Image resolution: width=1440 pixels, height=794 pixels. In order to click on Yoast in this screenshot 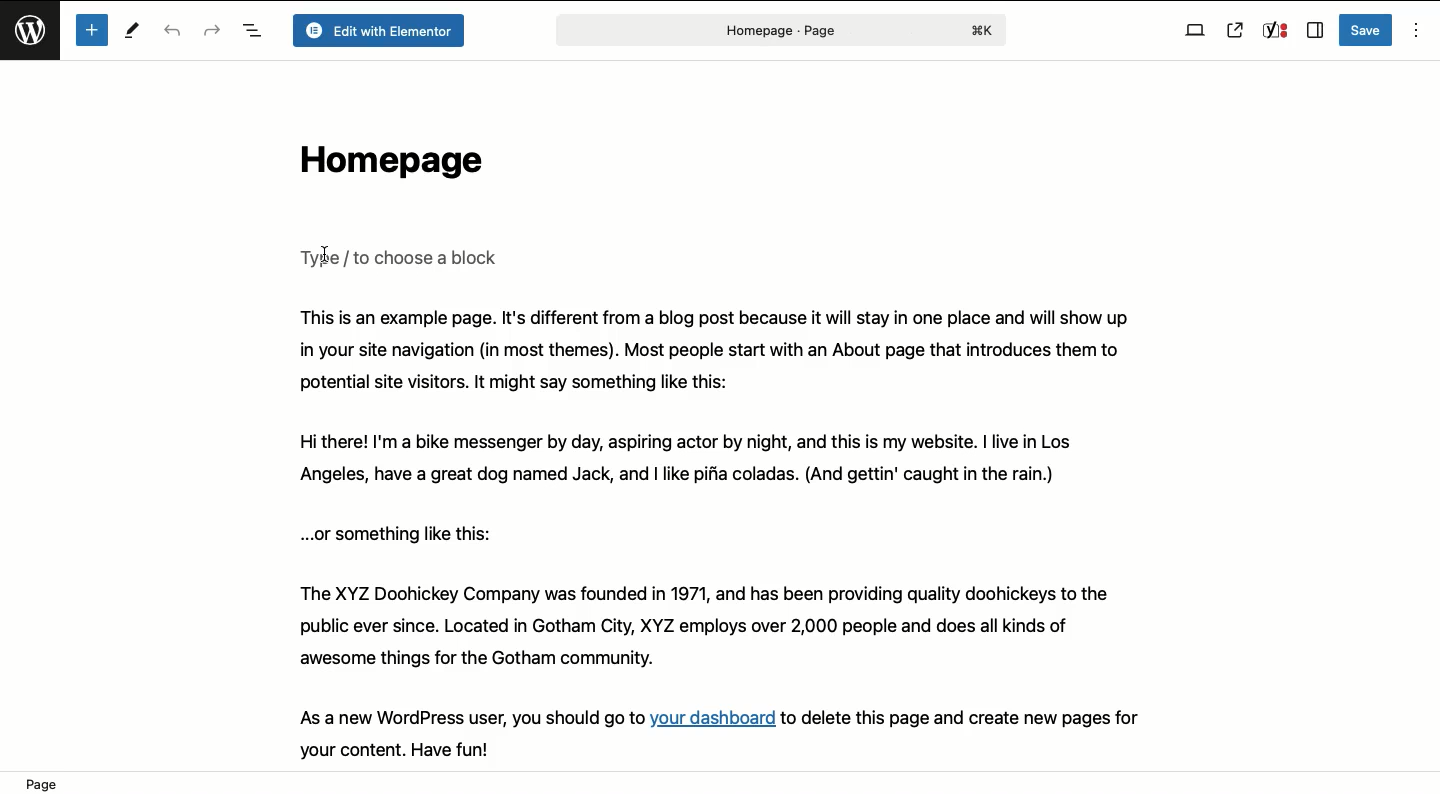, I will do `click(1274, 31)`.